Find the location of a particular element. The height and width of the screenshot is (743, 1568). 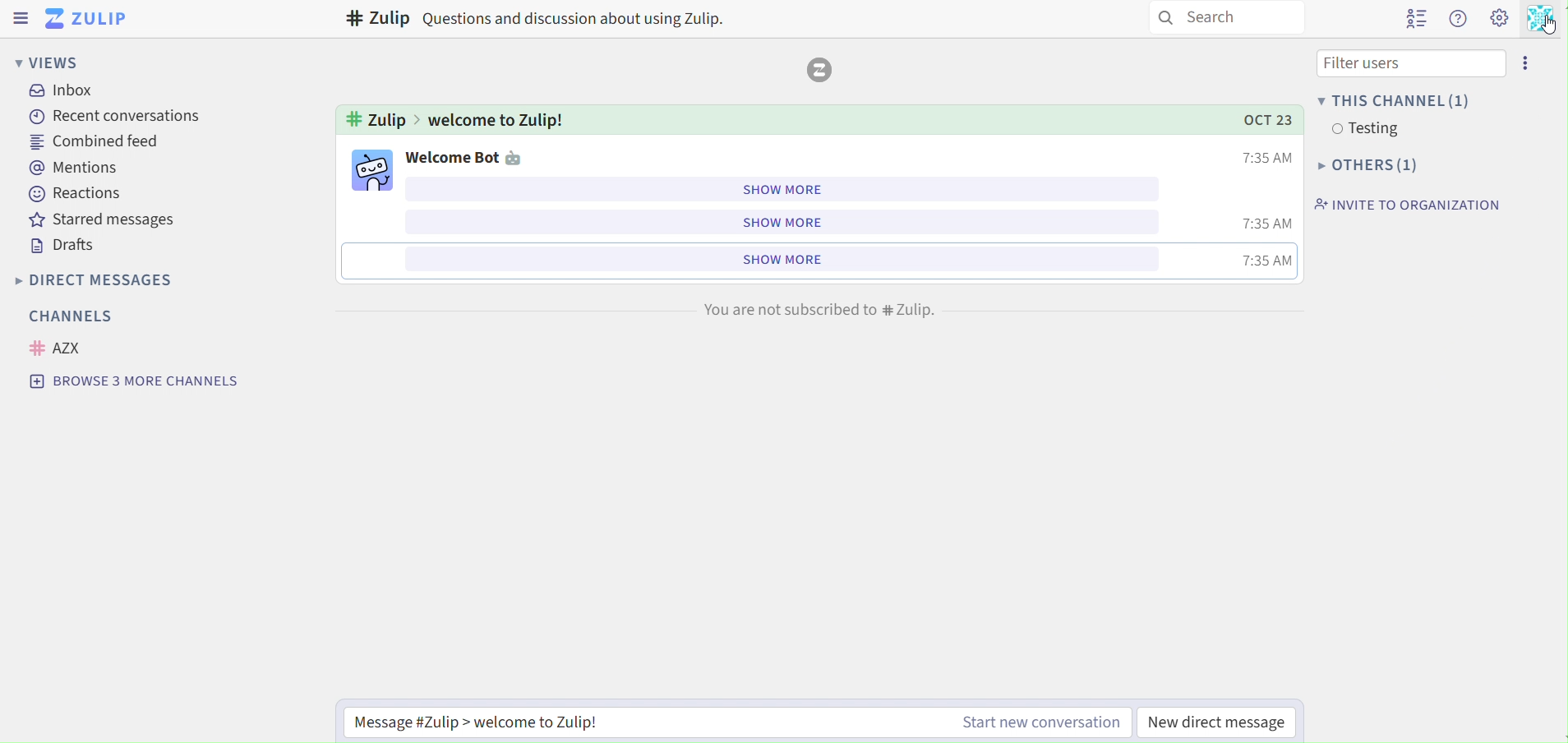

start new conversation is located at coordinates (1026, 723).